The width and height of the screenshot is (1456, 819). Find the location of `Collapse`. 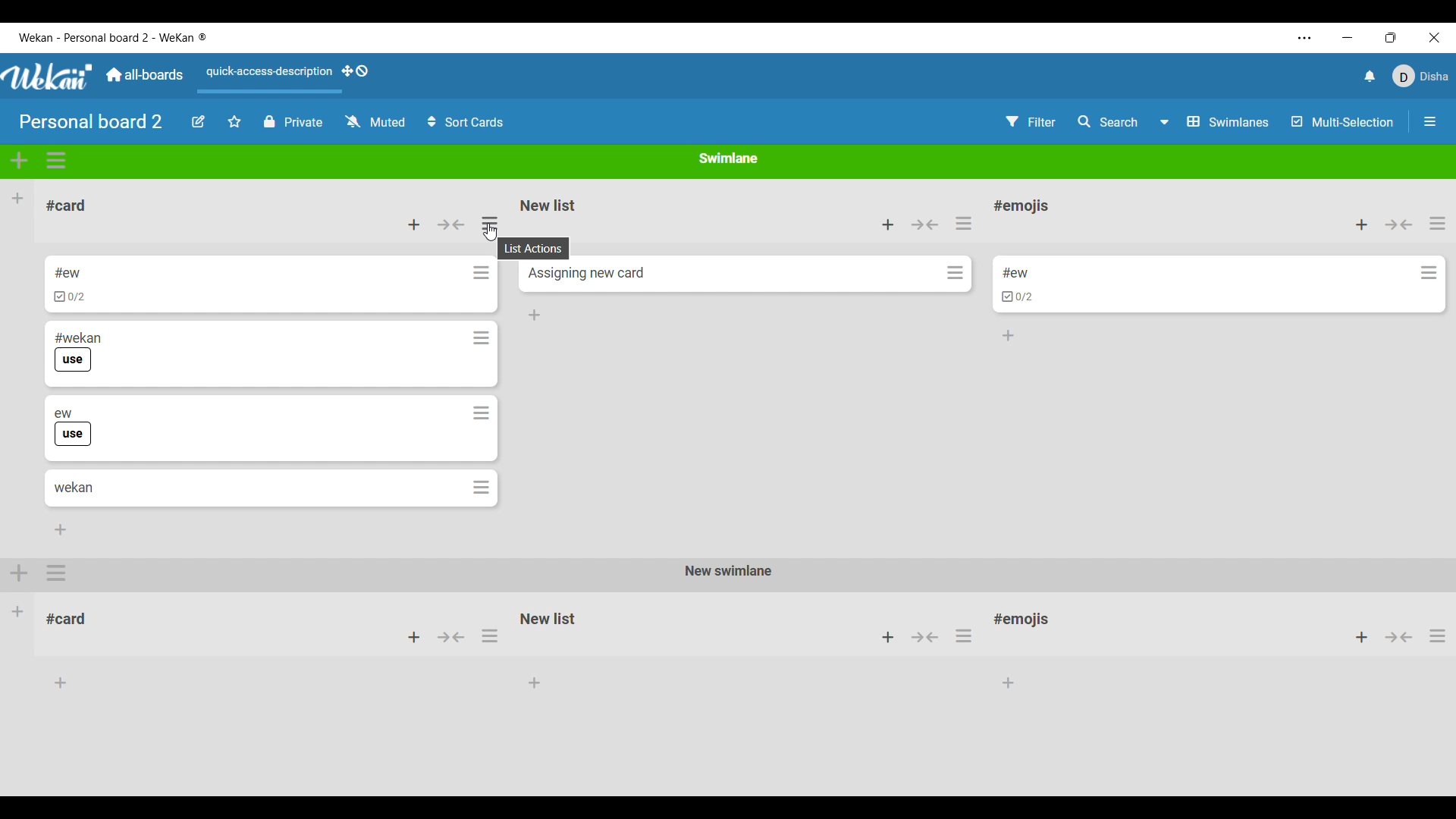

Collapse is located at coordinates (924, 224).